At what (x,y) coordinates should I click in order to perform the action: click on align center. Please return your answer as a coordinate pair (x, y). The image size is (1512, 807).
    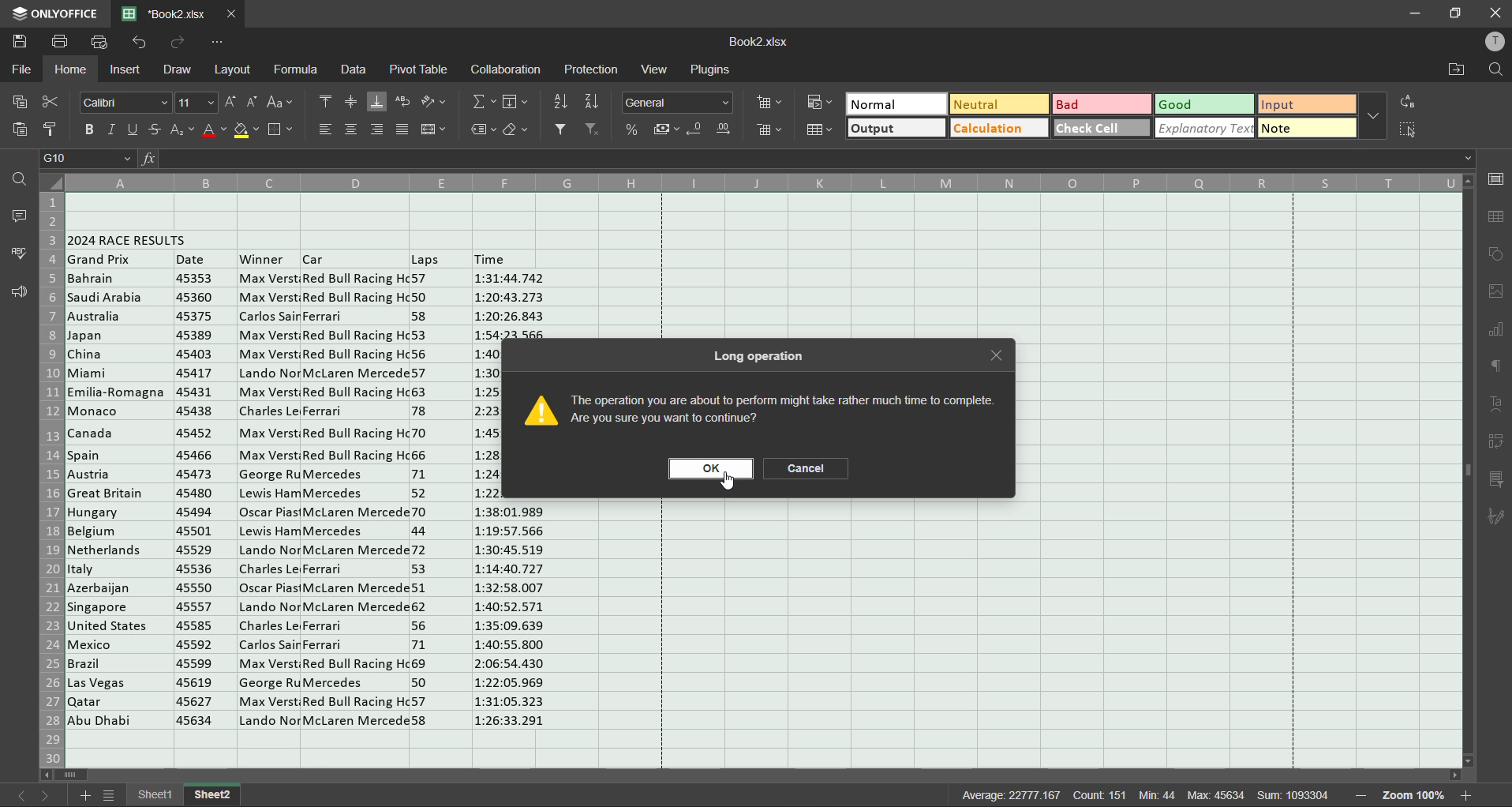
    Looking at the image, I should click on (350, 129).